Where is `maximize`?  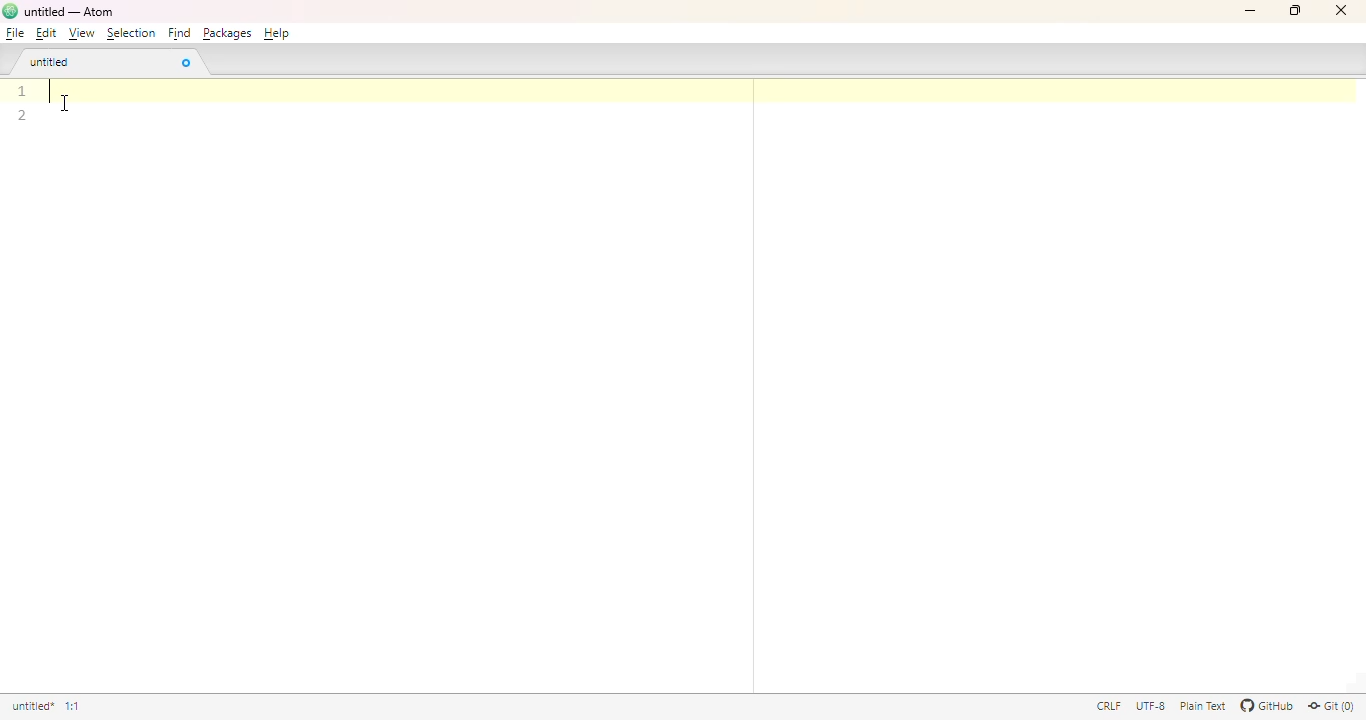 maximize is located at coordinates (1294, 9).